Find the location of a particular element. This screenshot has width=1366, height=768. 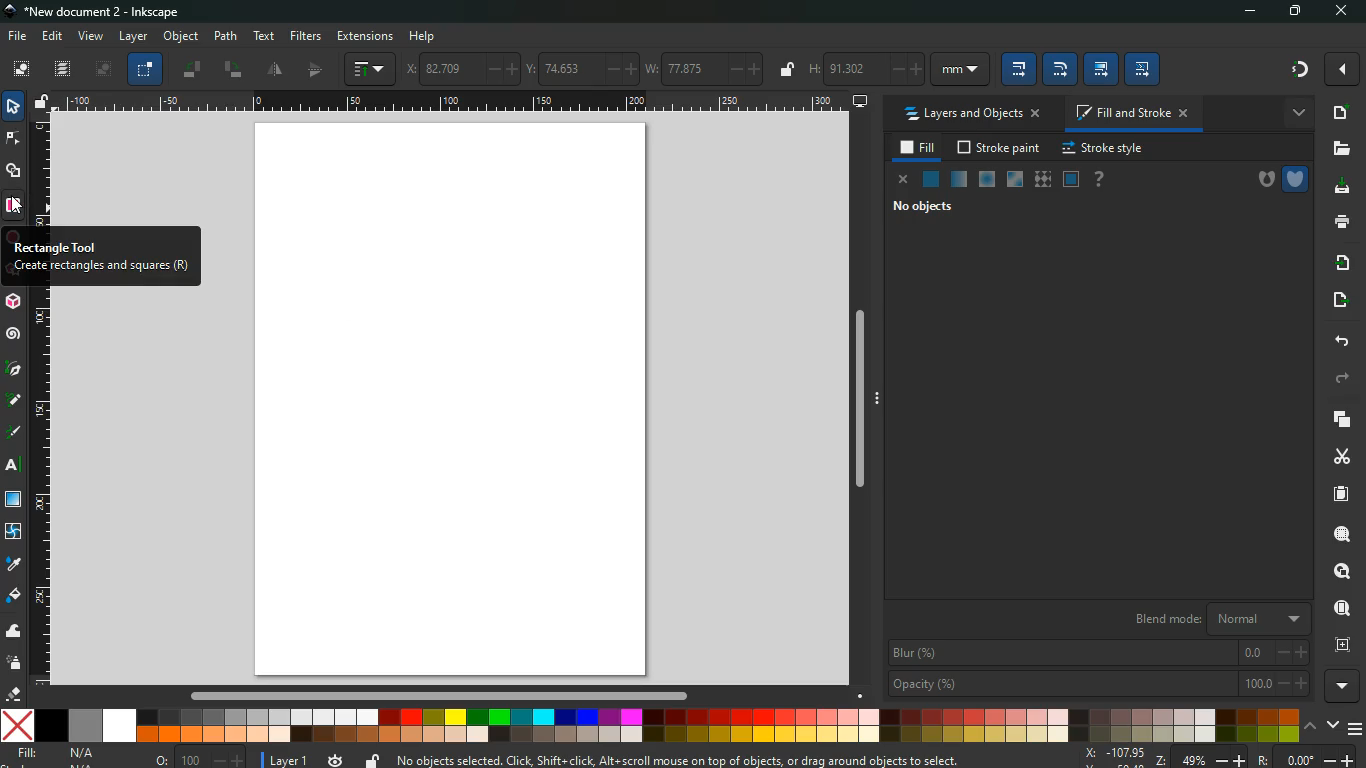

3d tool is located at coordinates (14, 303).